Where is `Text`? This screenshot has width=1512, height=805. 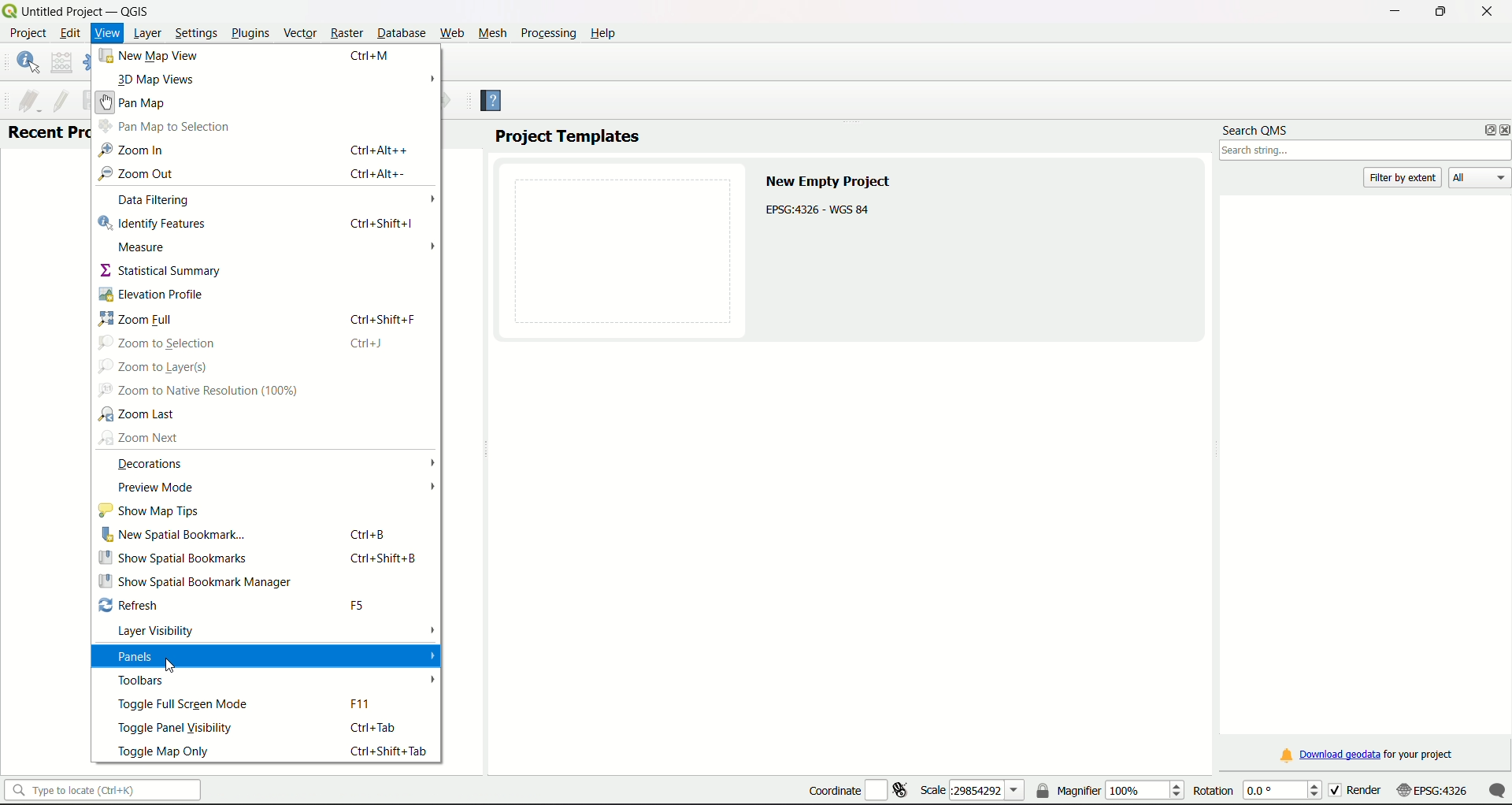 Text is located at coordinates (48, 132).